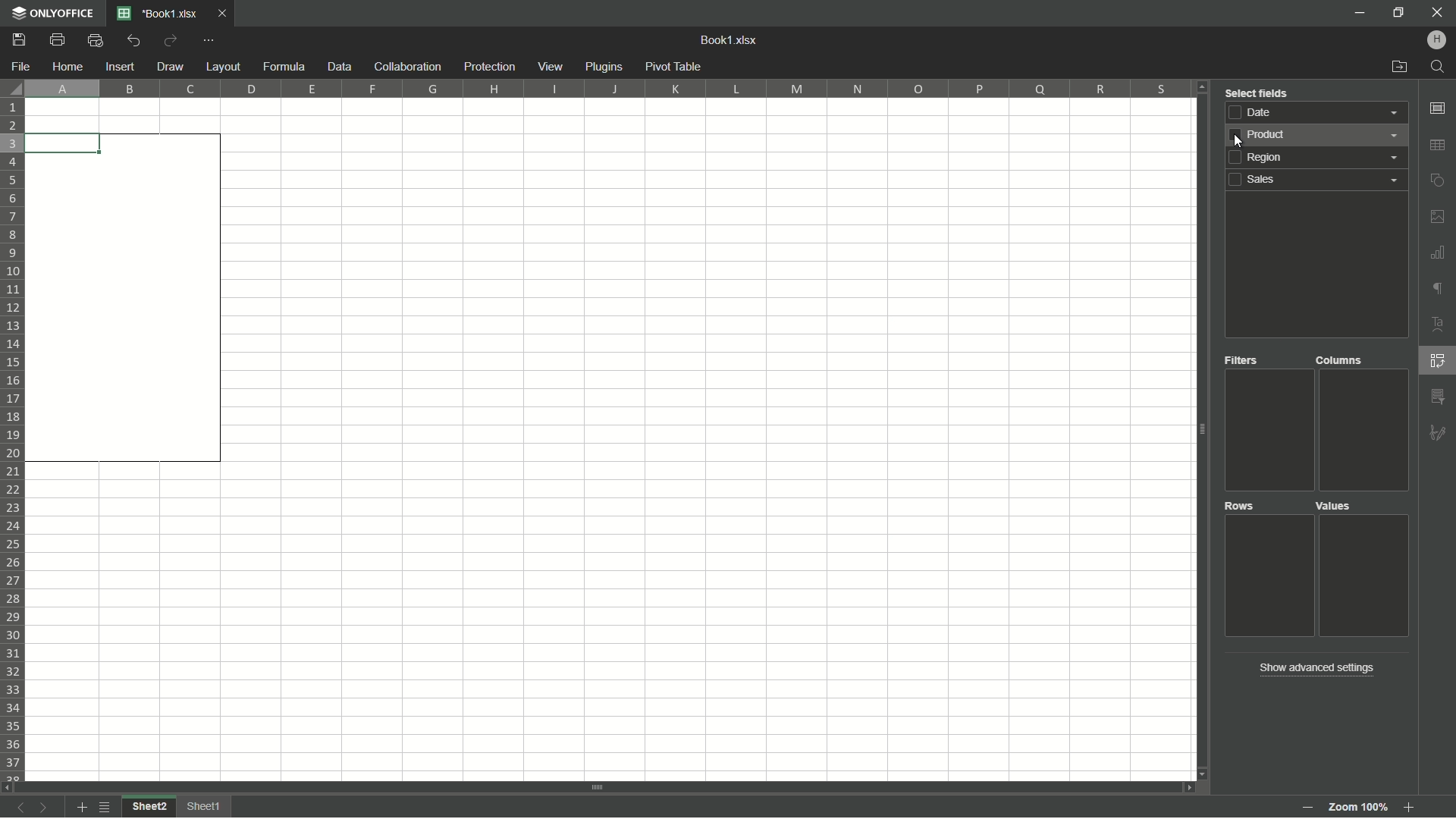 The width and height of the screenshot is (1456, 819). What do you see at coordinates (1317, 181) in the screenshot?
I see `Sales` at bounding box center [1317, 181].